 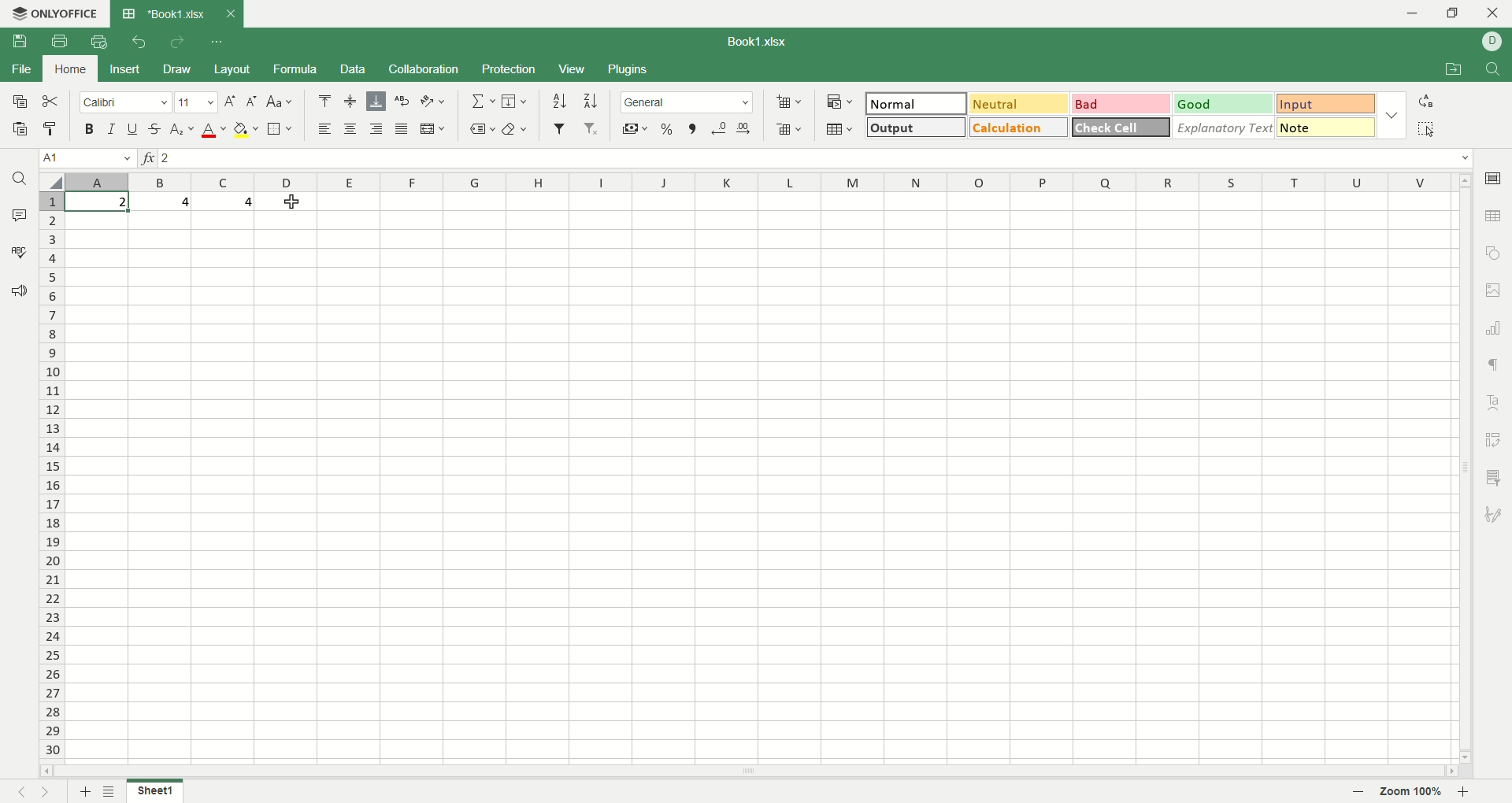 What do you see at coordinates (154, 790) in the screenshot?
I see `sheet1` at bounding box center [154, 790].